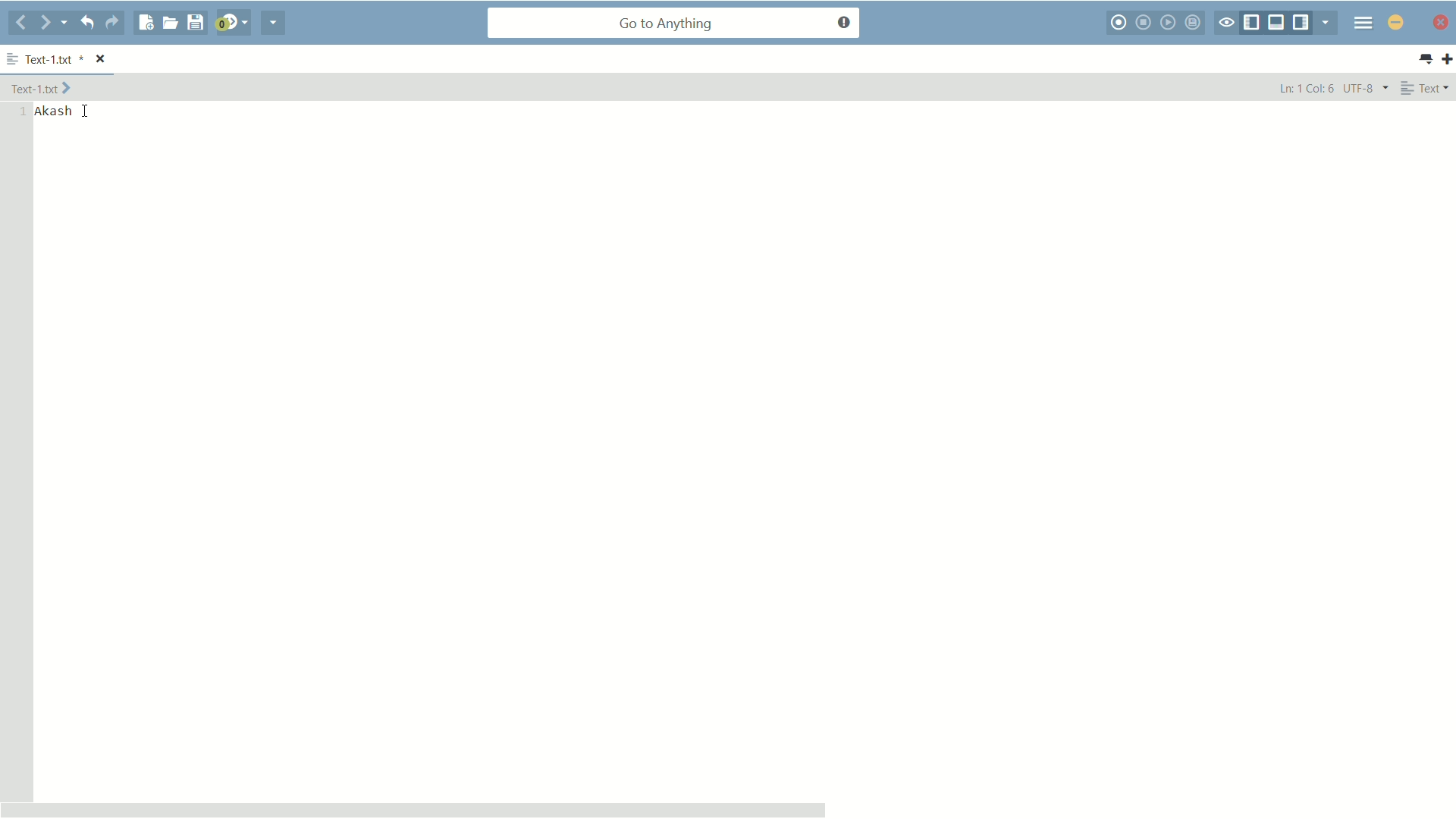 The height and width of the screenshot is (819, 1456). What do you see at coordinates (84, 111) in the screenshot?
I see `cursor` at bounding box center [84, 111].